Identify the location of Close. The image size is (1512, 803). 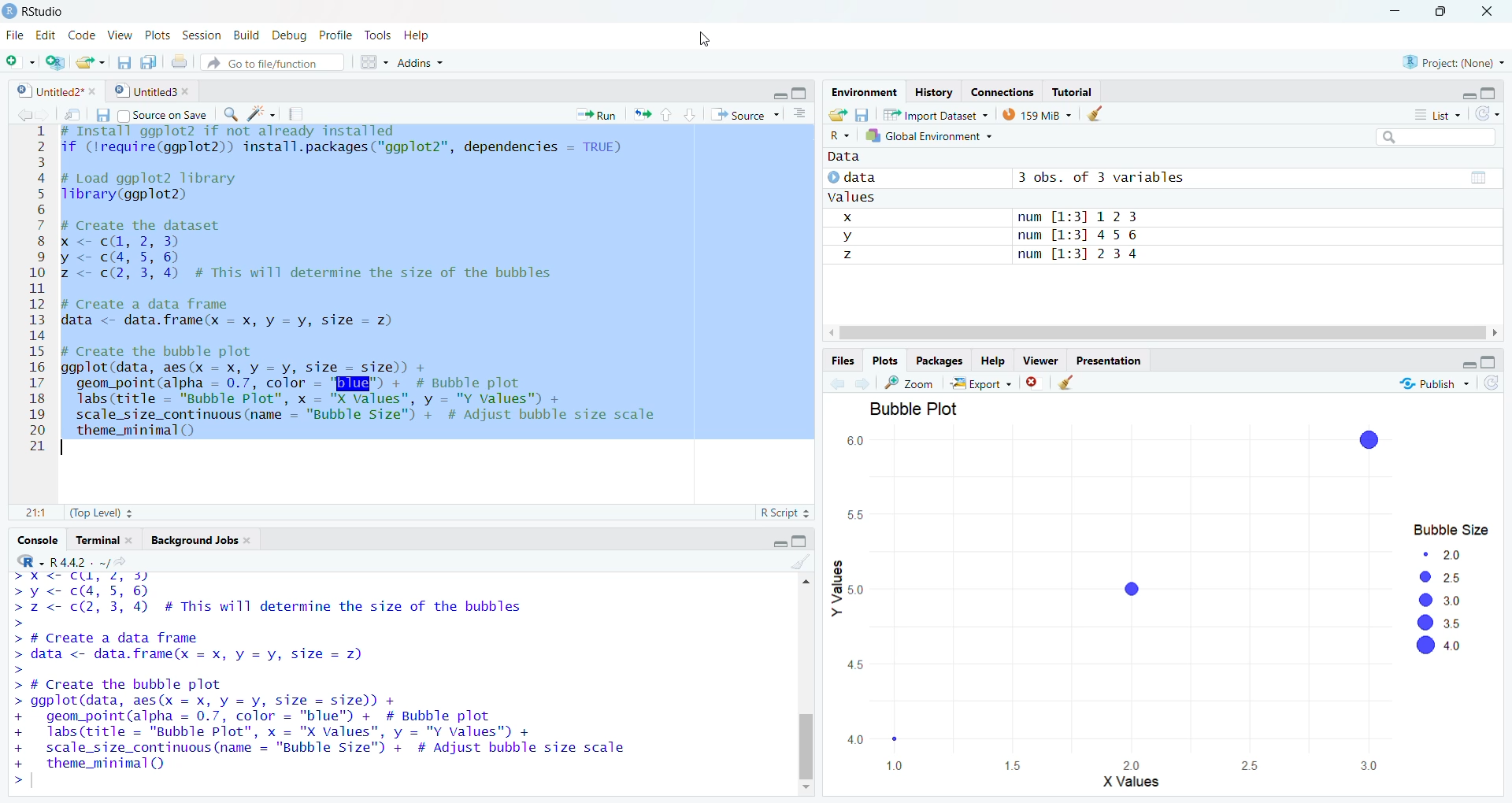
(1494, 10).